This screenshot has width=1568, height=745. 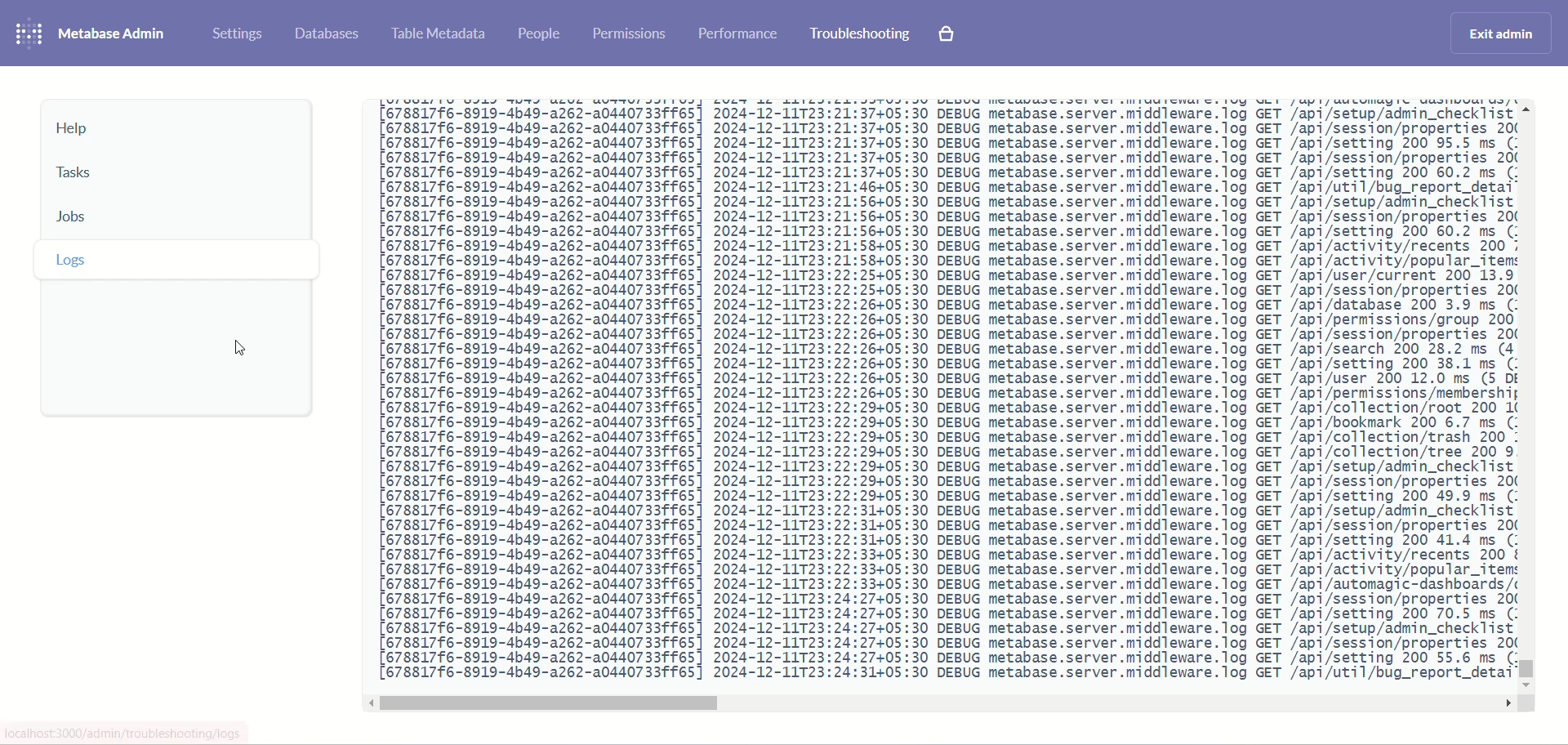 I want to click on people, so click(x=541, y=34).